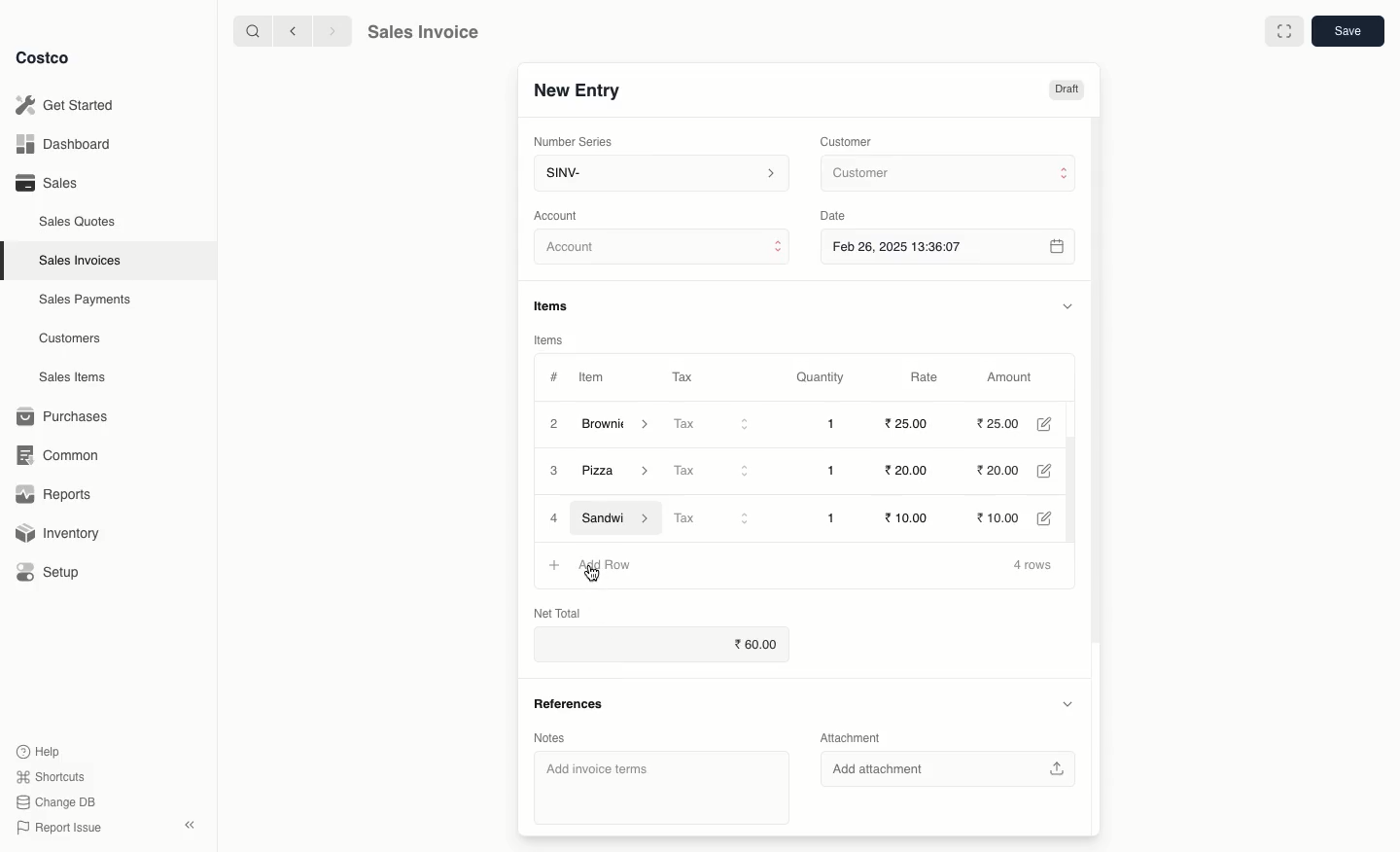  Describe the element at coordinates (554, 375) in the screenshot. I see `#` at that location.